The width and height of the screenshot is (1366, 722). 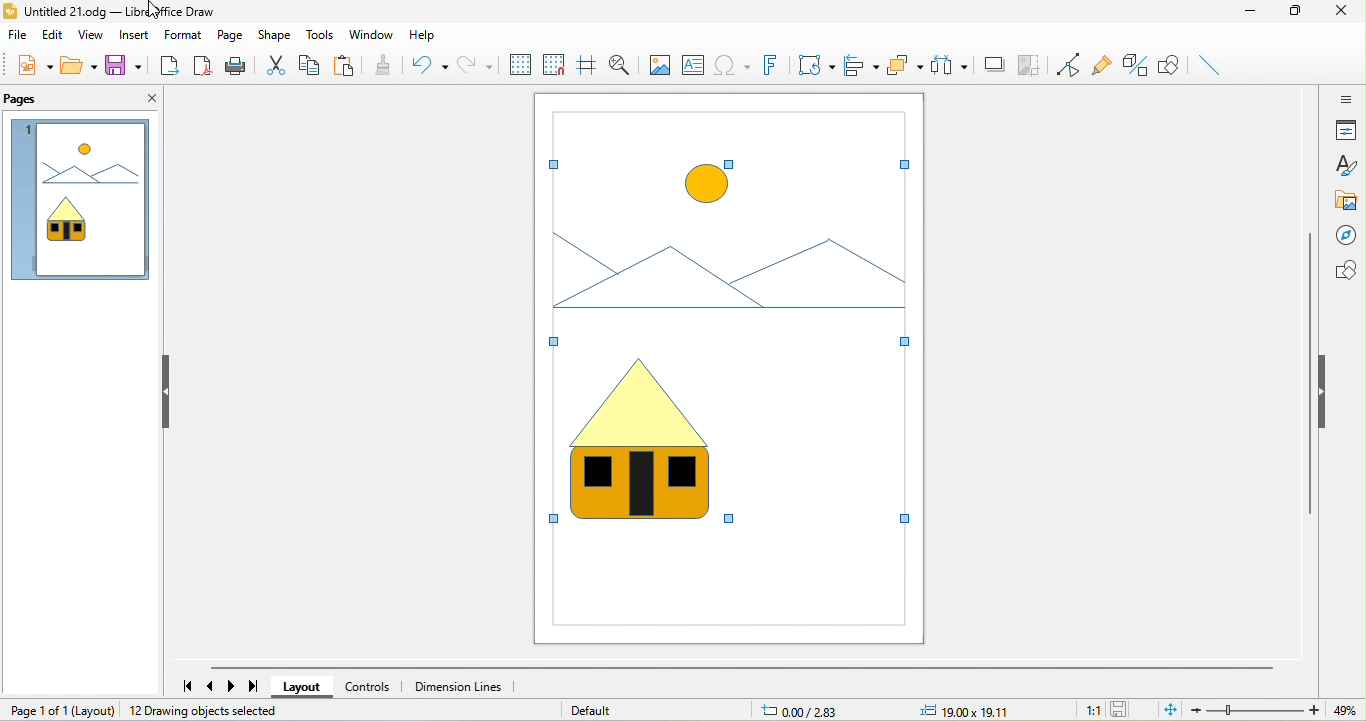 I want to click on cut, so click(x=275, y=63).